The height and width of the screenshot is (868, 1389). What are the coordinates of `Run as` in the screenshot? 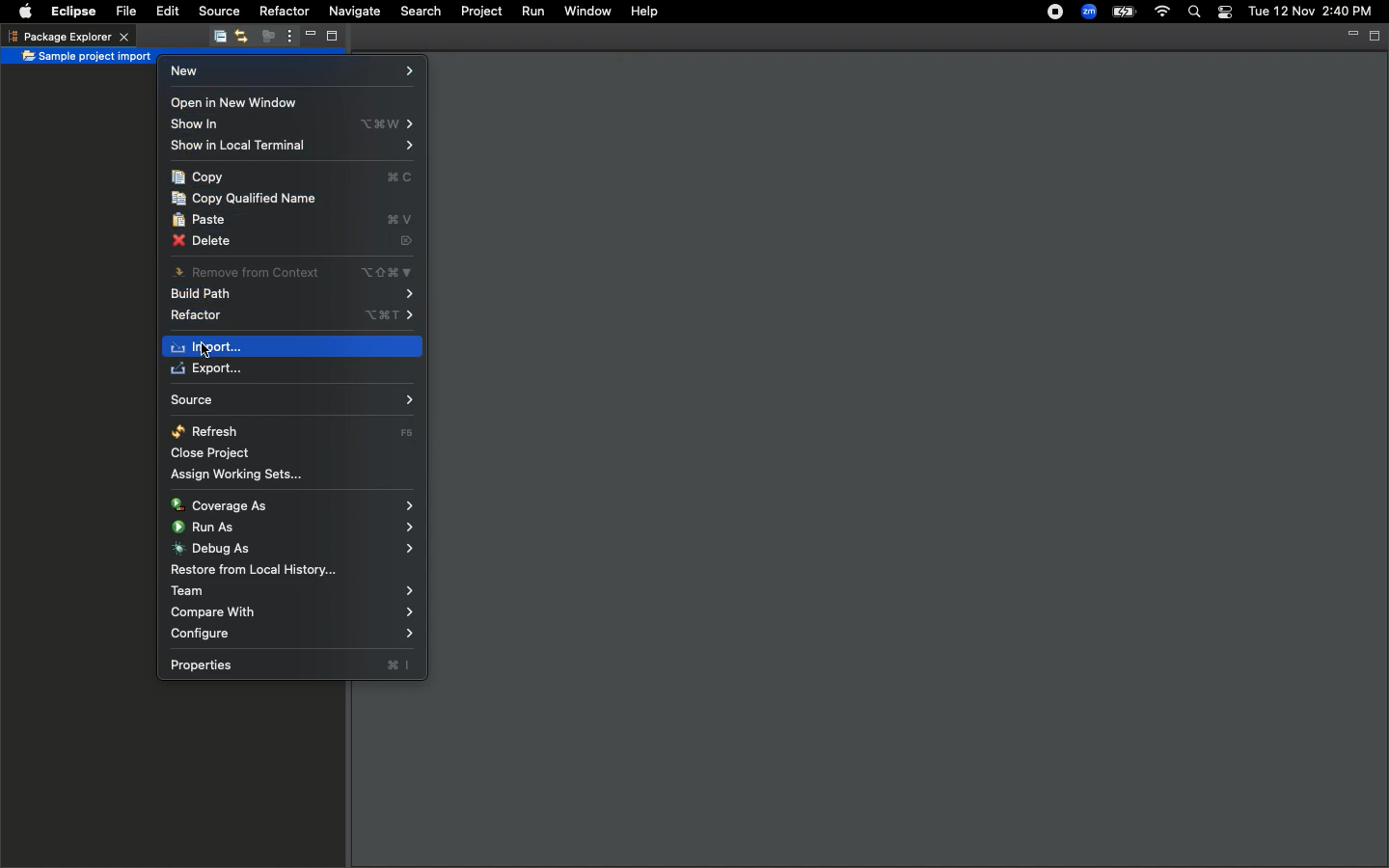 It's located at (296, 529).